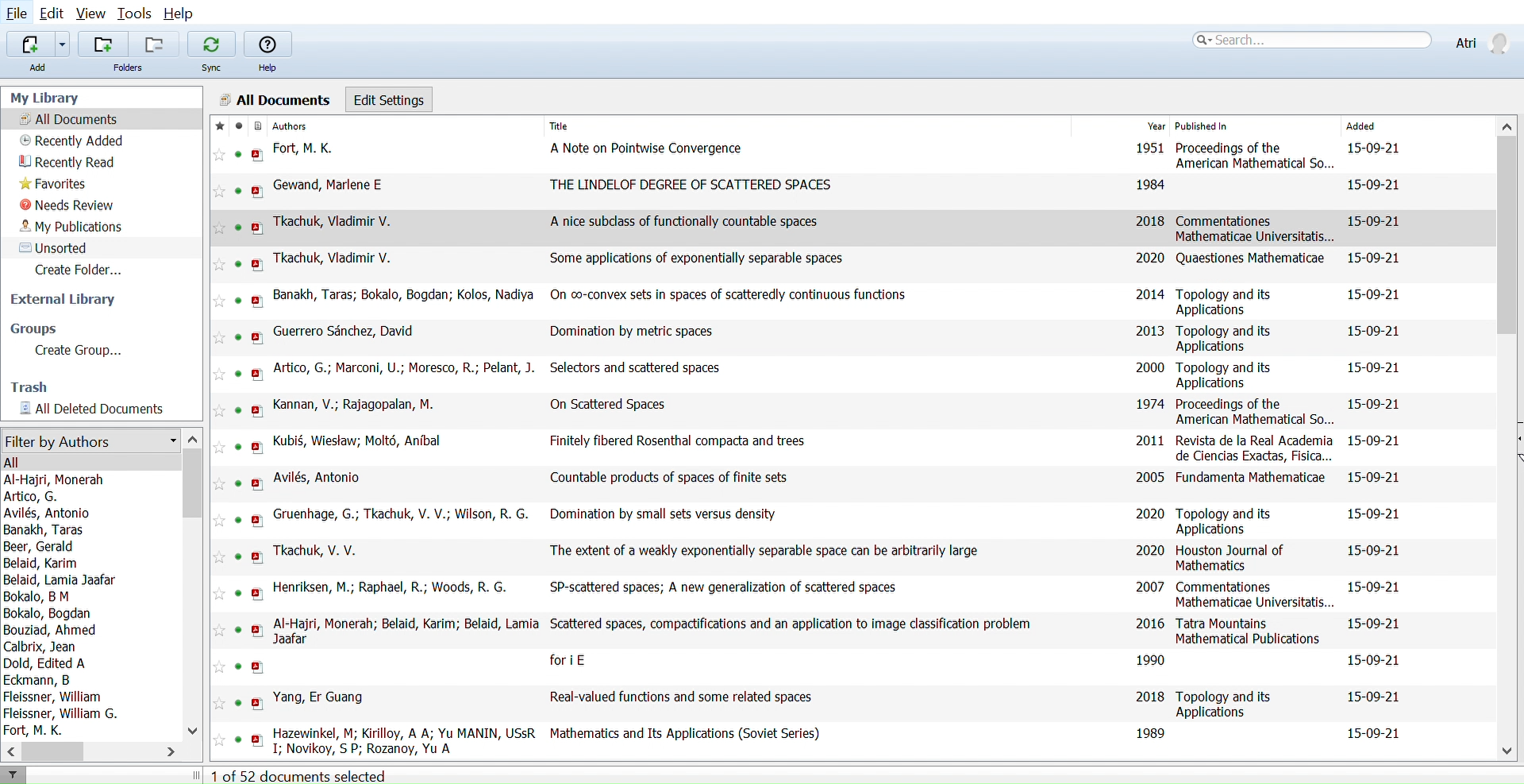  What do you see at coordinates (333, 258) in the screenshot?
I see `Tkachuk, Vladimir V.` at bounding box center [333, 258].